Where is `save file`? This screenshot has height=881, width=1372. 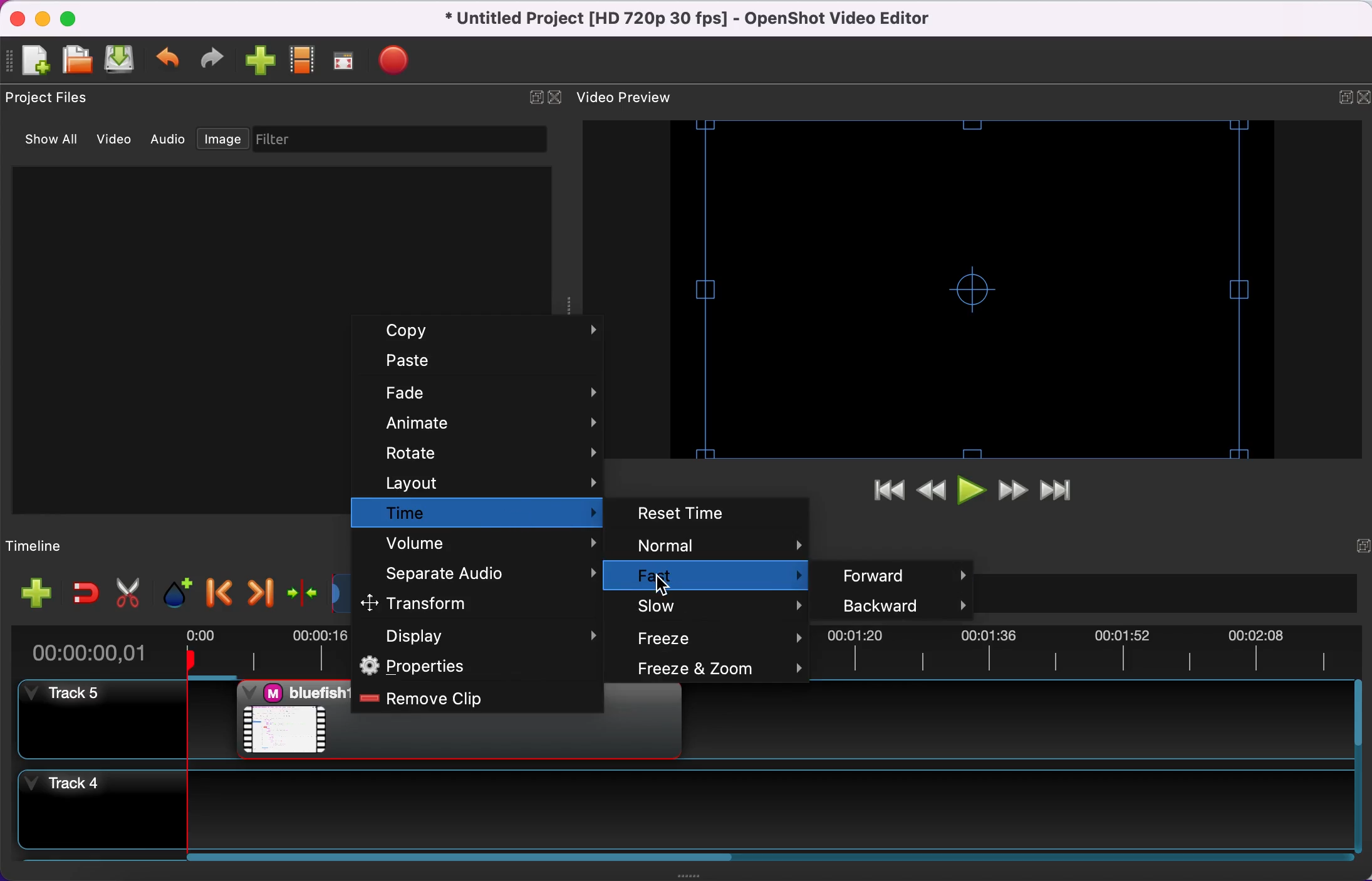 save file is located at coordinates (123, 61).